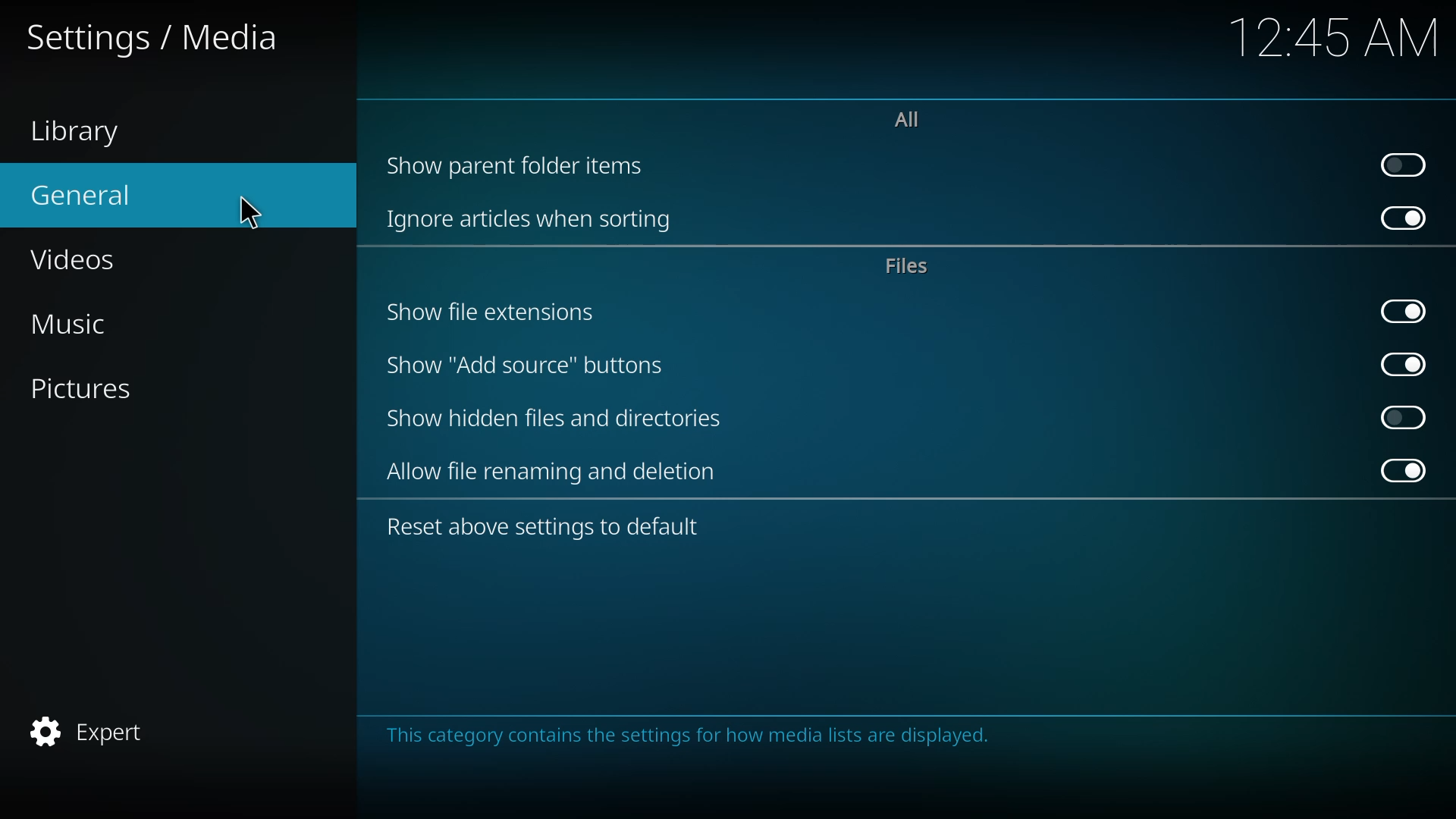 This screenshot has width=1456, height=819. Describe the element at coordinates (1399, 363) in the screenshot. I see `enabled` at that location.